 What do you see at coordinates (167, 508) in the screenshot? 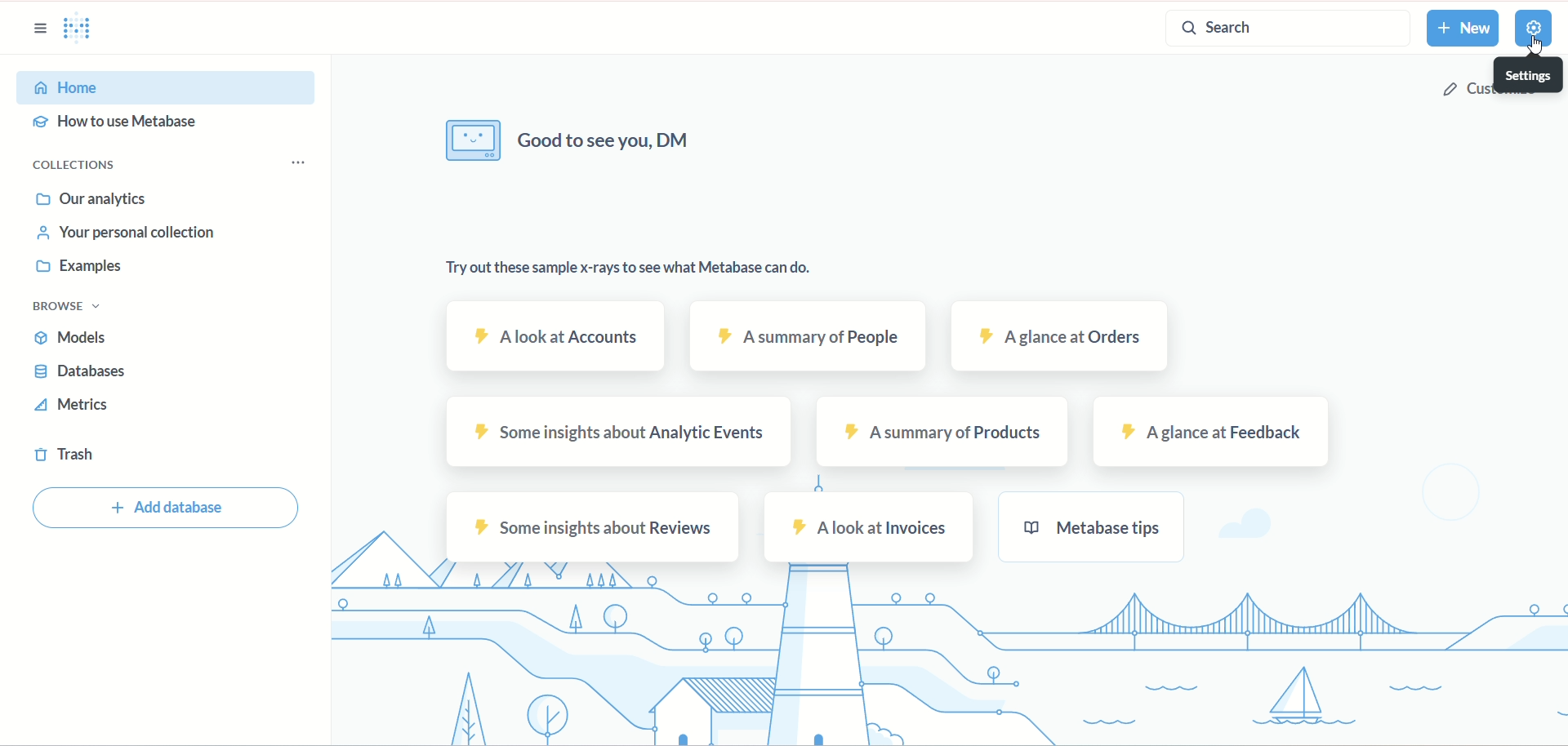
I see `add database` at bounding box center [167, 508].